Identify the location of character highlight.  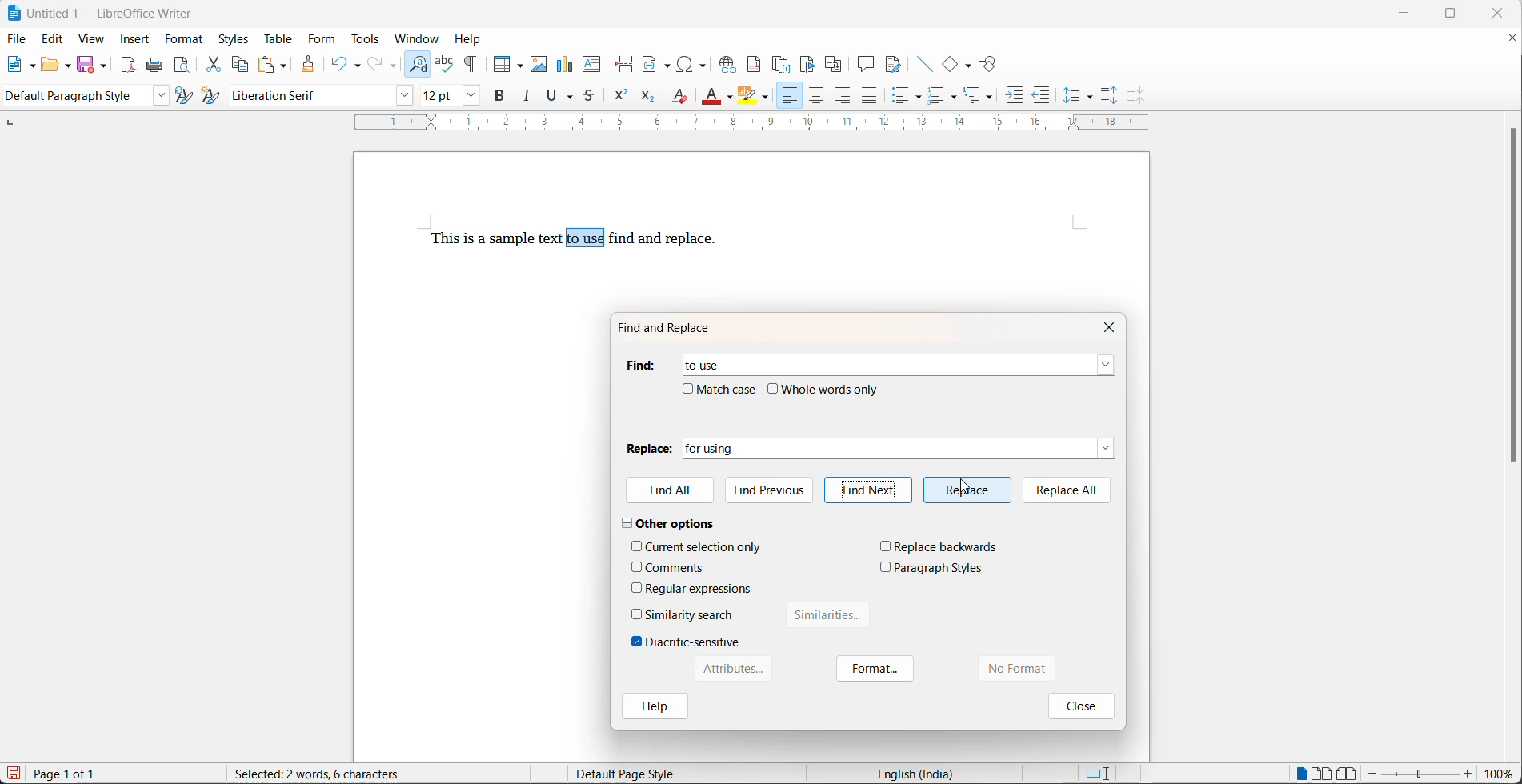
(747, 96).